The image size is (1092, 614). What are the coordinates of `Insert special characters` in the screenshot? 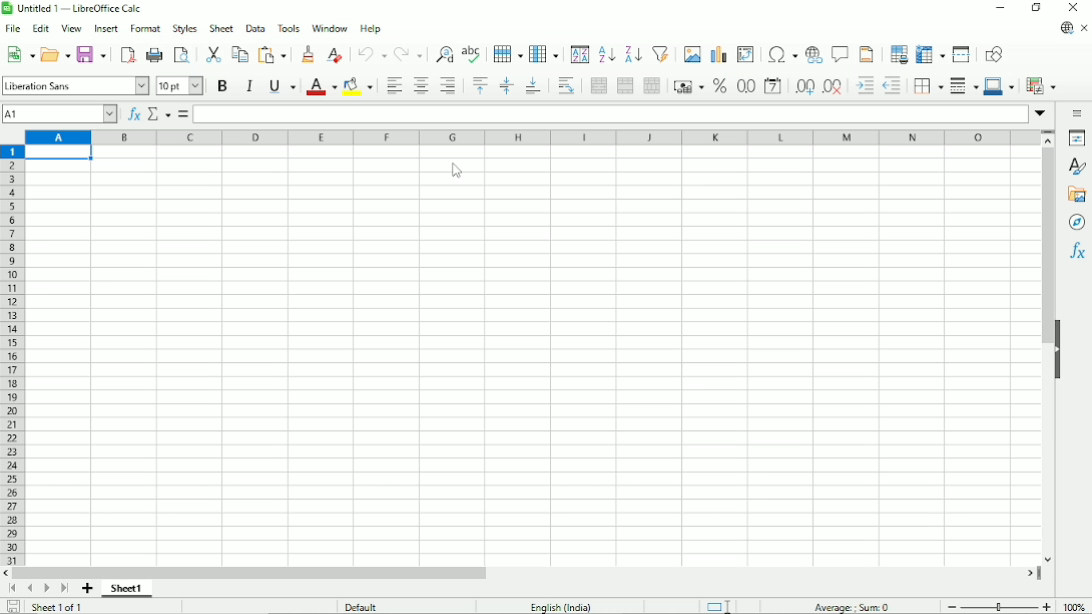 It's located at (781, 54).